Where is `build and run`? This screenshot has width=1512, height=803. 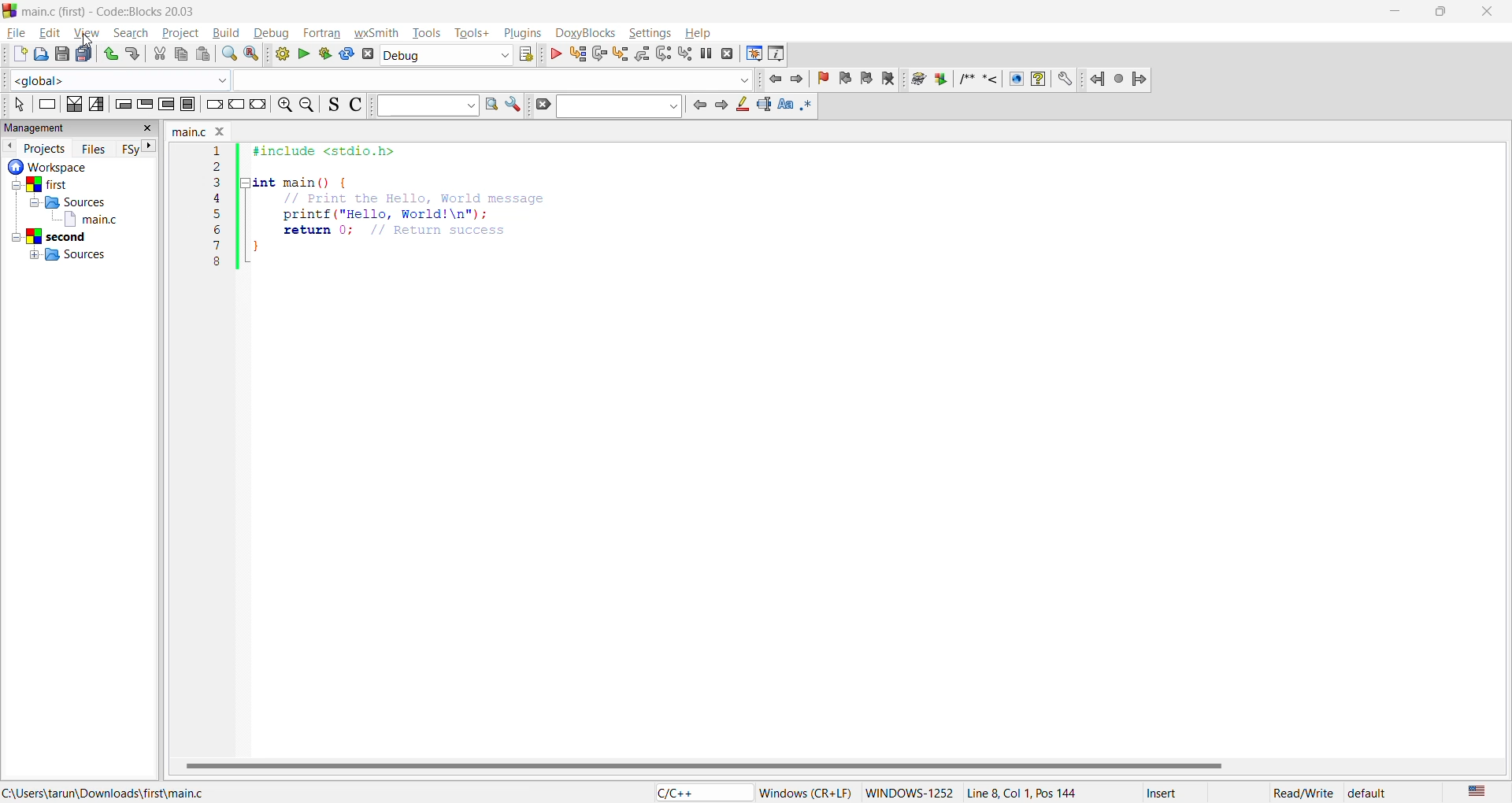
build and run is located at coordinates (324, 54).